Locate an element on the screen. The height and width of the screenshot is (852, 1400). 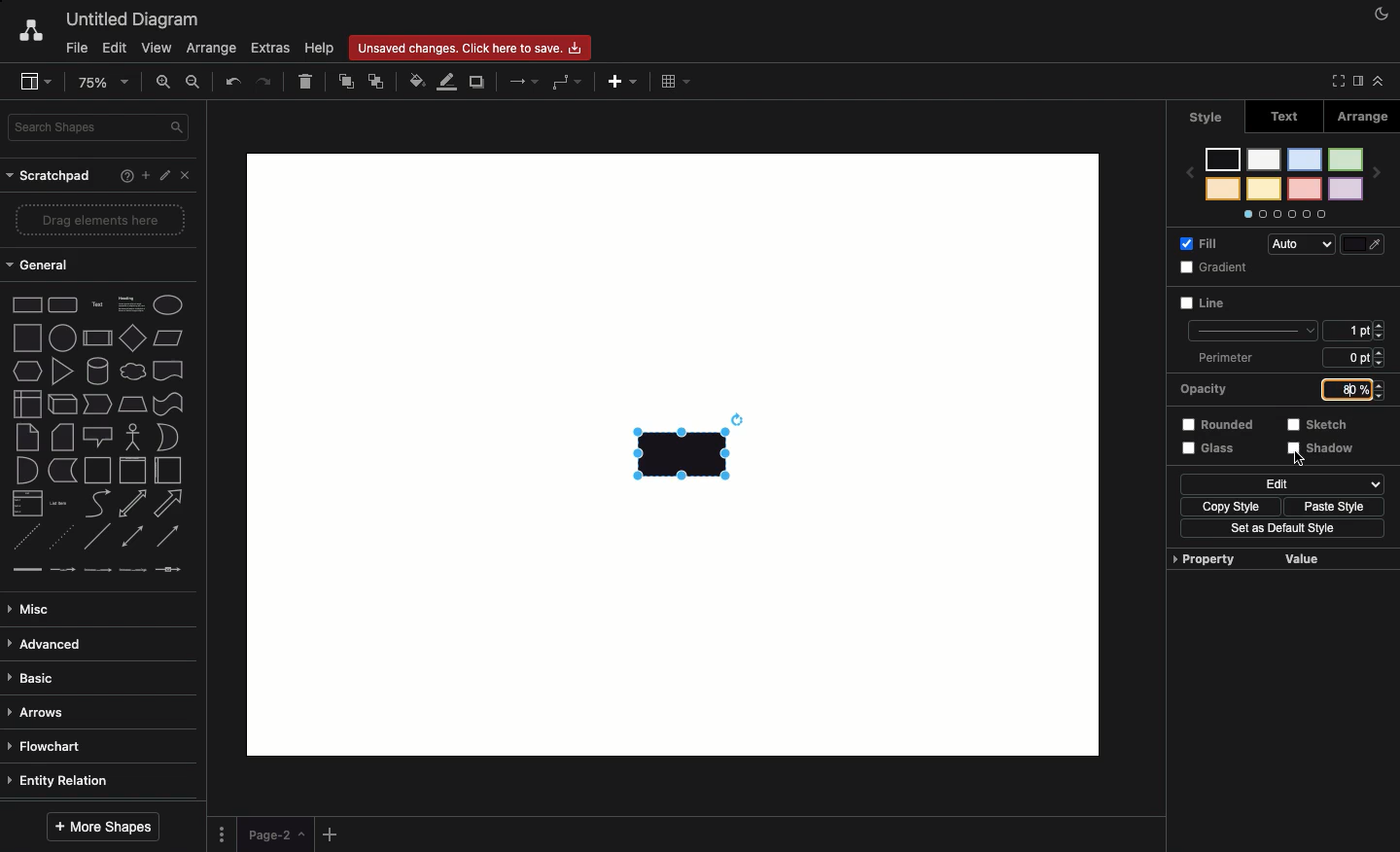
Arrange is located at coordinates (212, 49).